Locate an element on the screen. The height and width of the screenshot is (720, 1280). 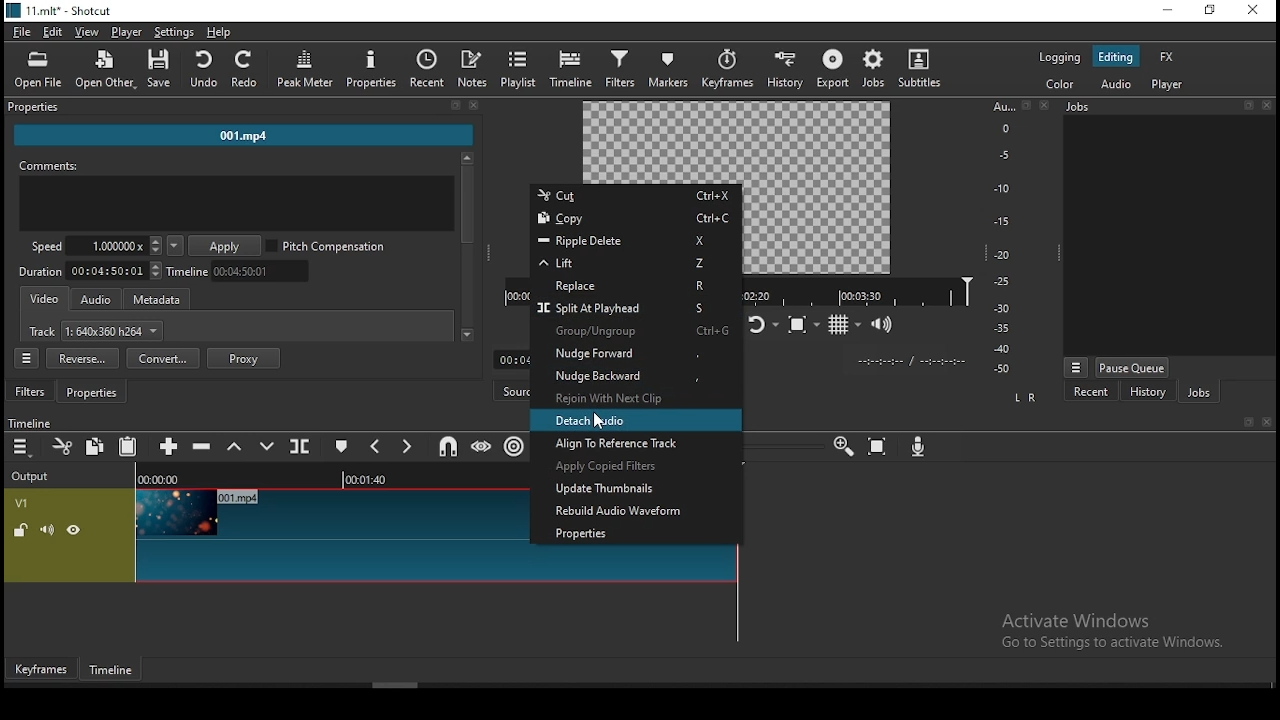
history is located at coordinates (785, 67).